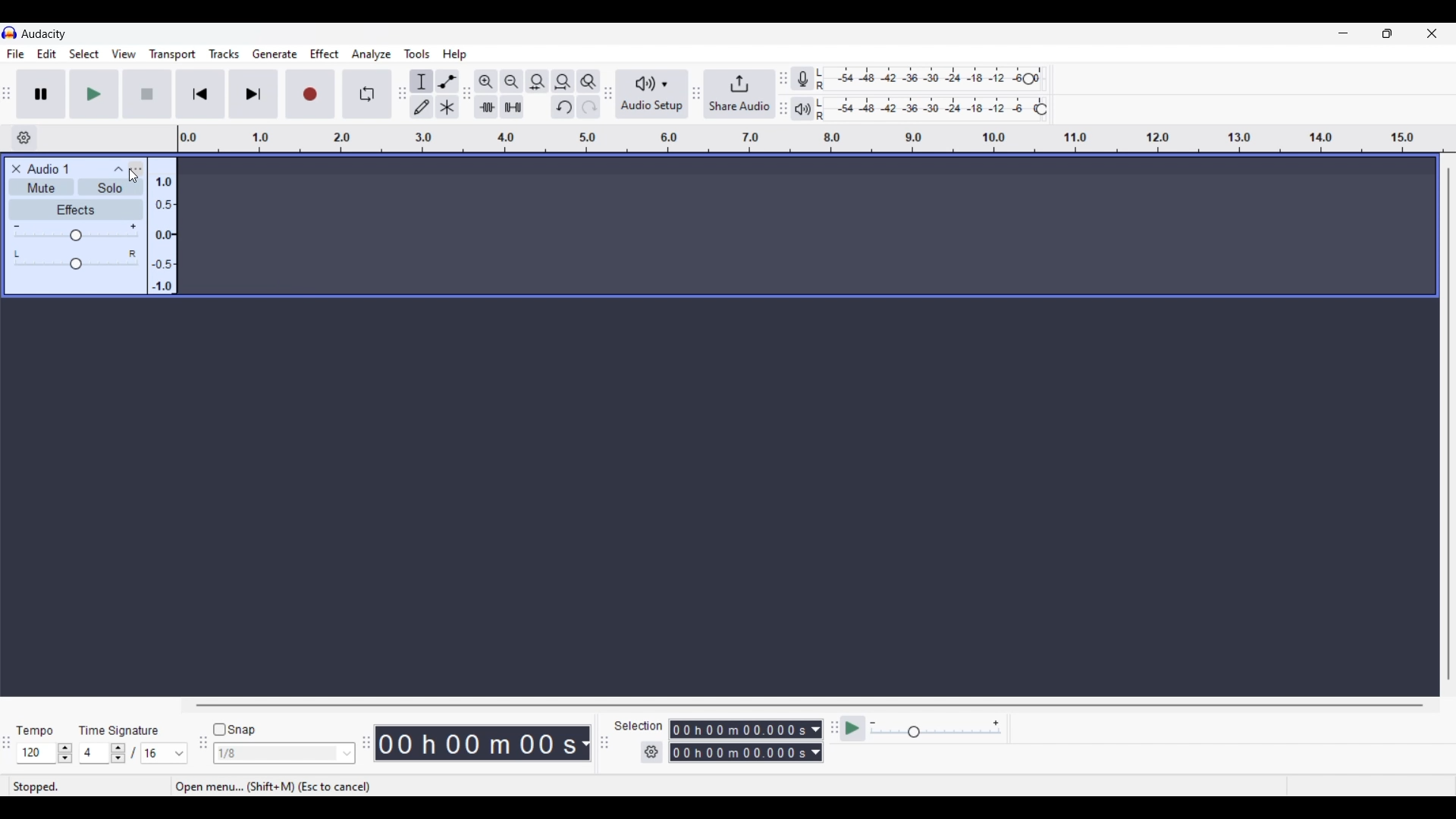 This screenshot has width=1456, height=819. Describe the element at coordinates (24, 138) in the screenshot. I see `Timeline options` at that location.